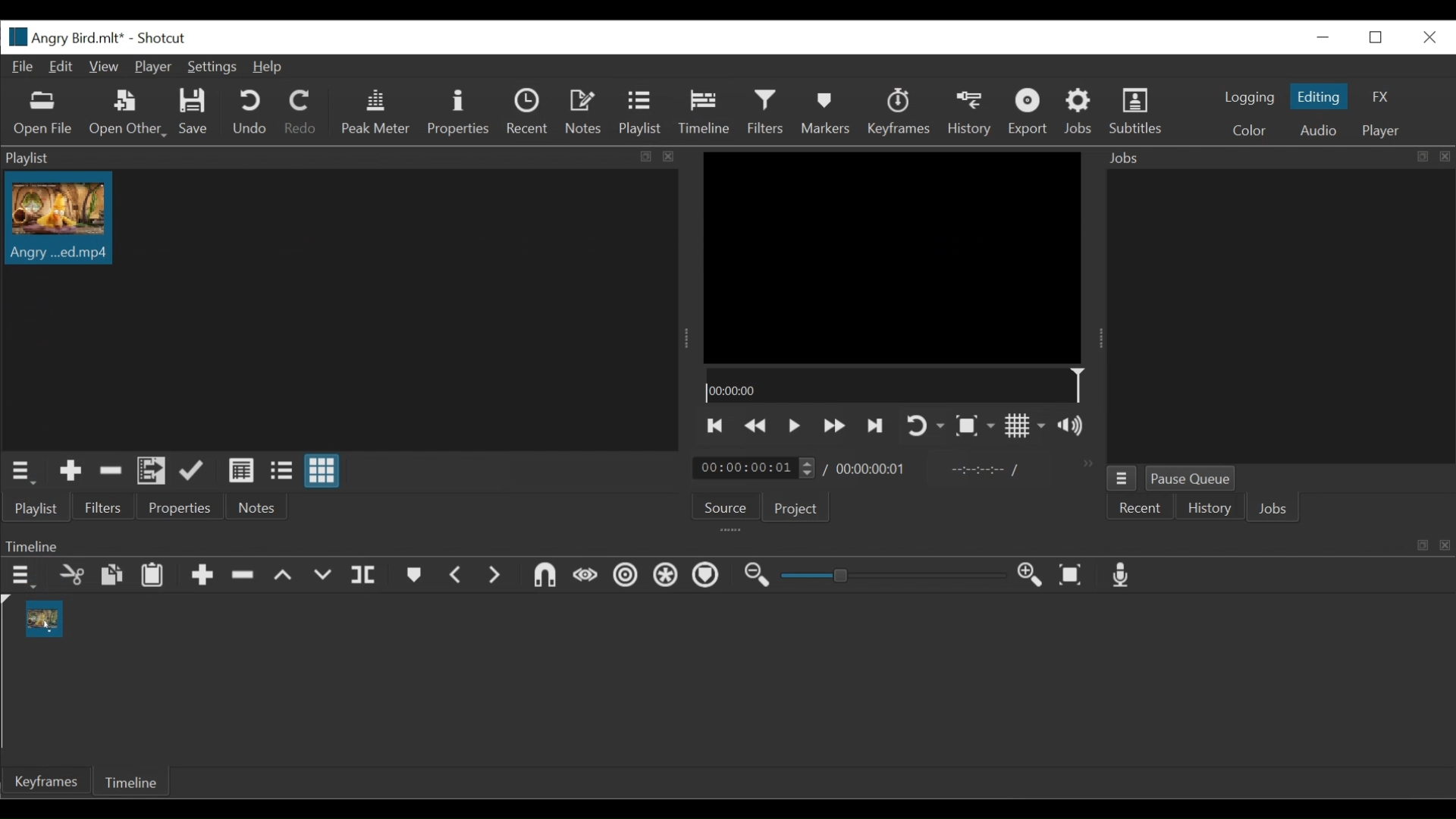  I want to click on Redo, so click(300, 111).